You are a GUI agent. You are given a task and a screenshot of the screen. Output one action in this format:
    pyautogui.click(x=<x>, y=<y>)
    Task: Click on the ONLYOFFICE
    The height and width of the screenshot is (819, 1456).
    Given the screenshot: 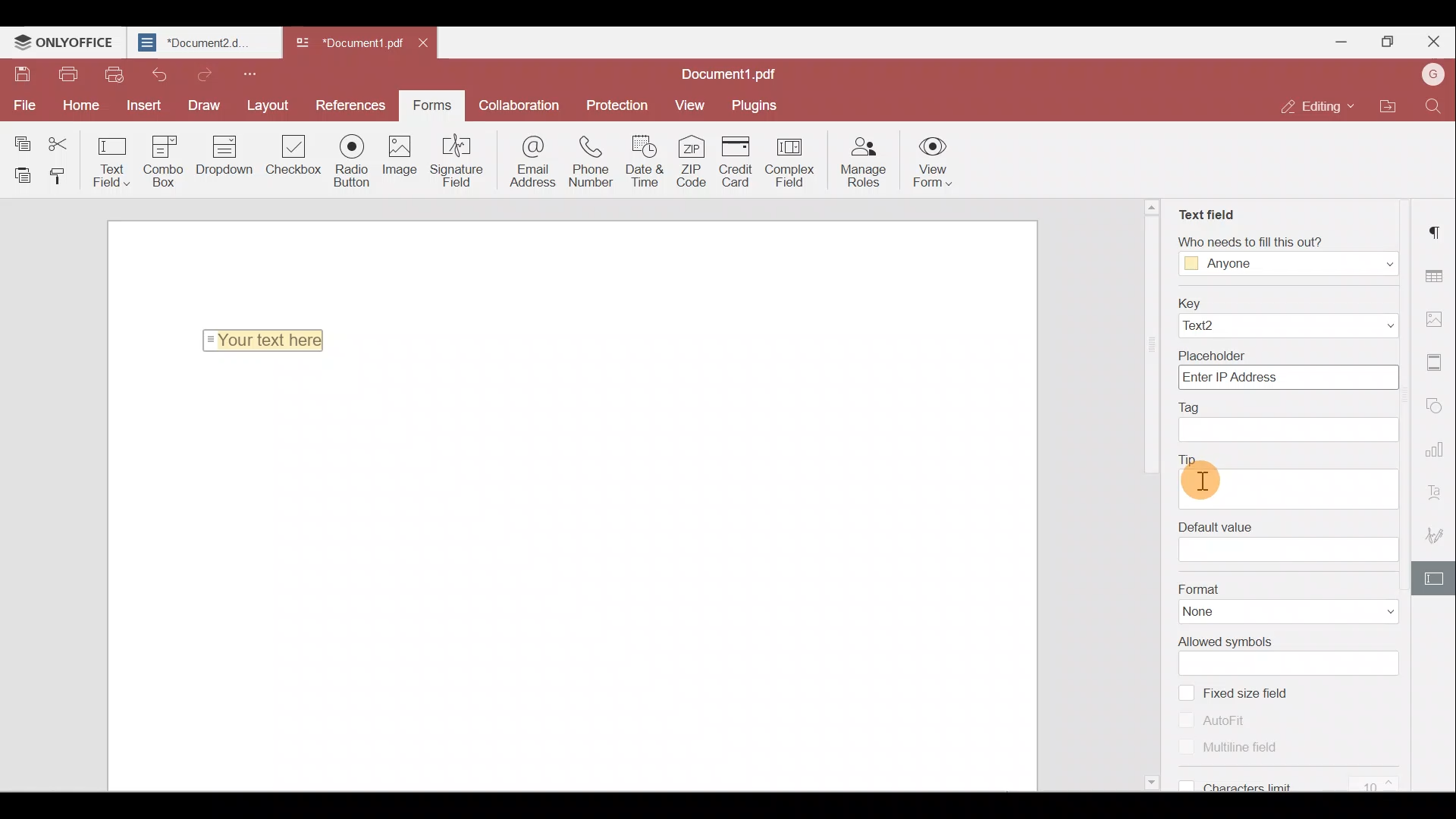 What is the action you would take?
    pyautogui.click(x=64, y=42)
    